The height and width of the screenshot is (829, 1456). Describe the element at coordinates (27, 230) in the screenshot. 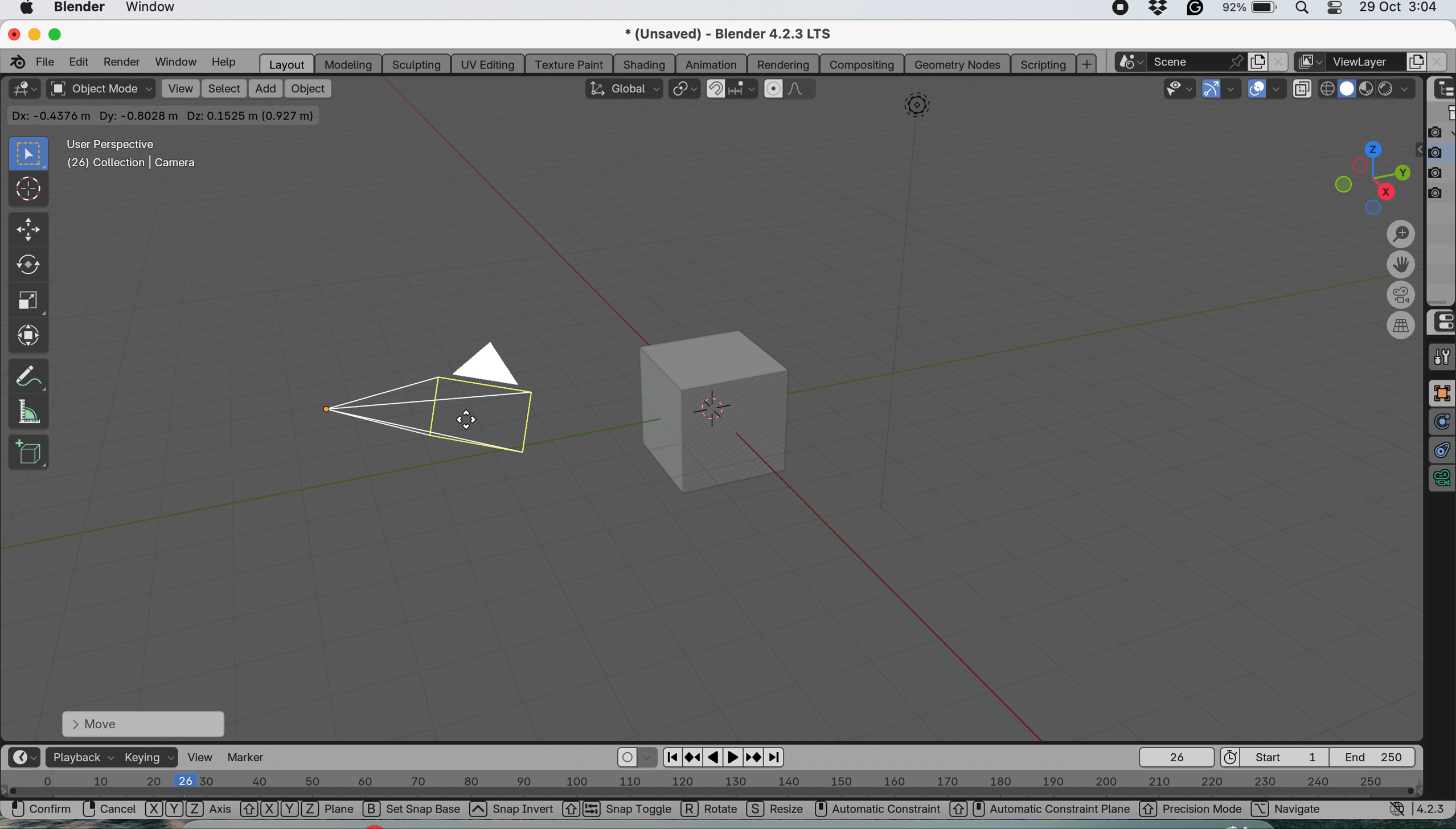

I see `move` at that location.